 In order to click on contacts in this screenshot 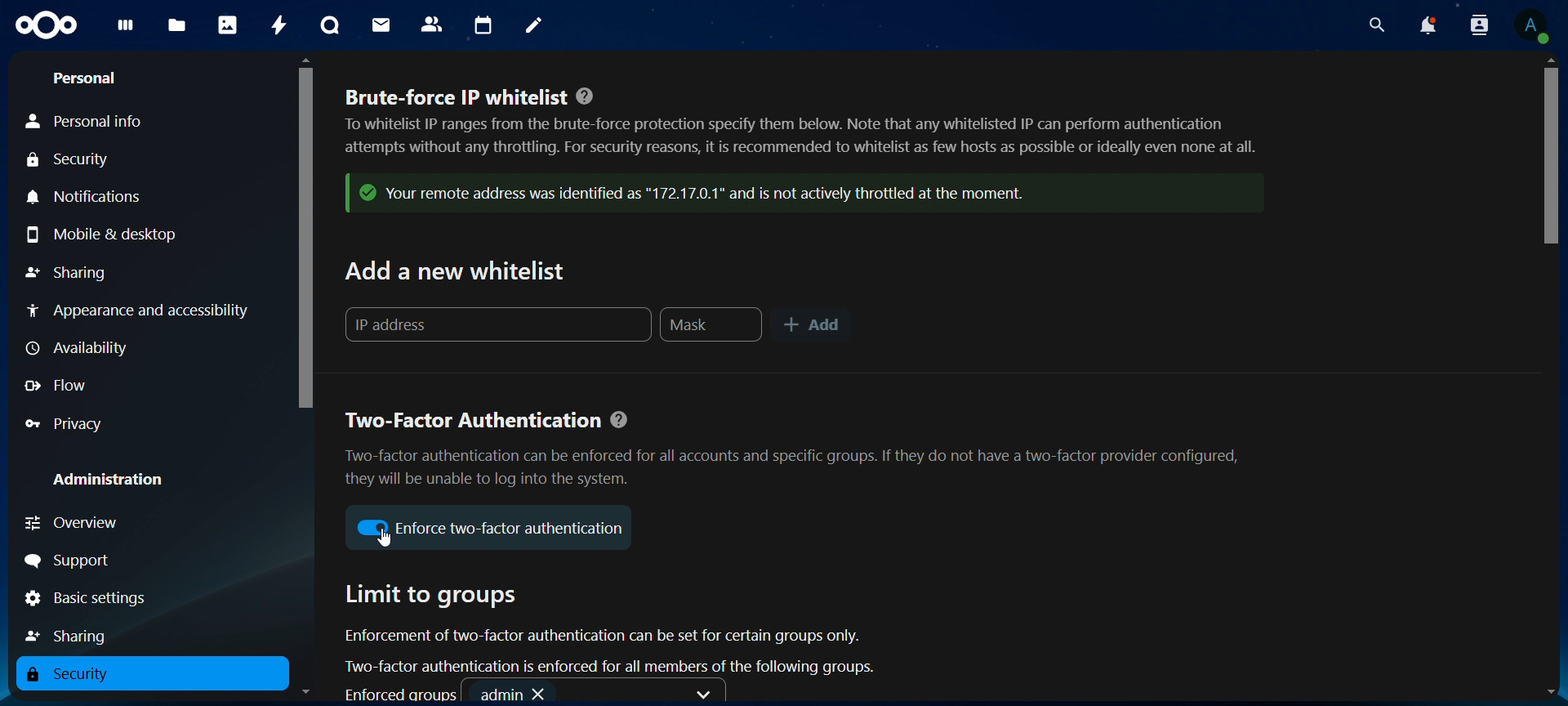, I will do `click(433, 22)`.